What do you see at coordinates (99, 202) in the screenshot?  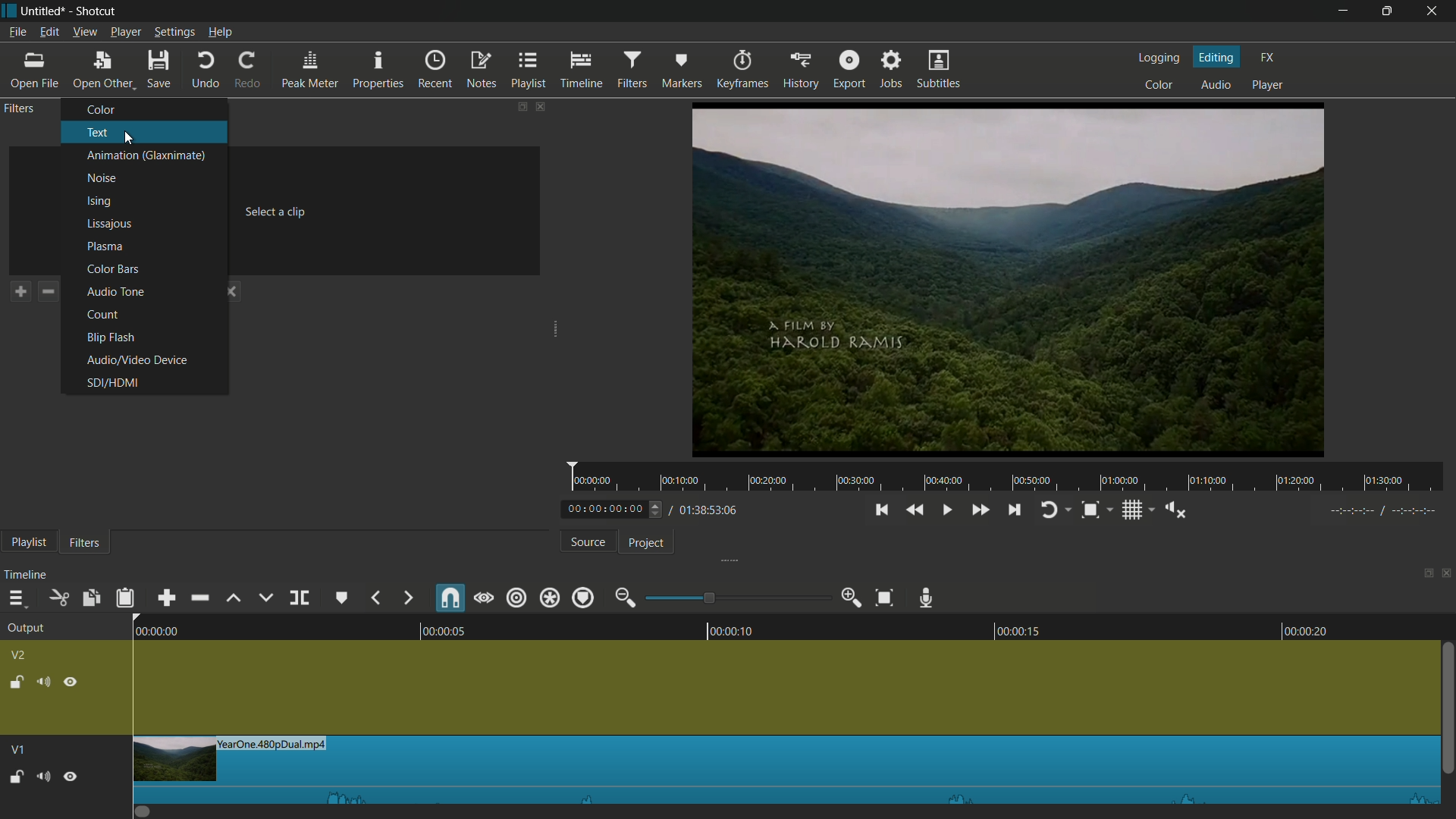 I see `ising` at bounding box center [99, 202].